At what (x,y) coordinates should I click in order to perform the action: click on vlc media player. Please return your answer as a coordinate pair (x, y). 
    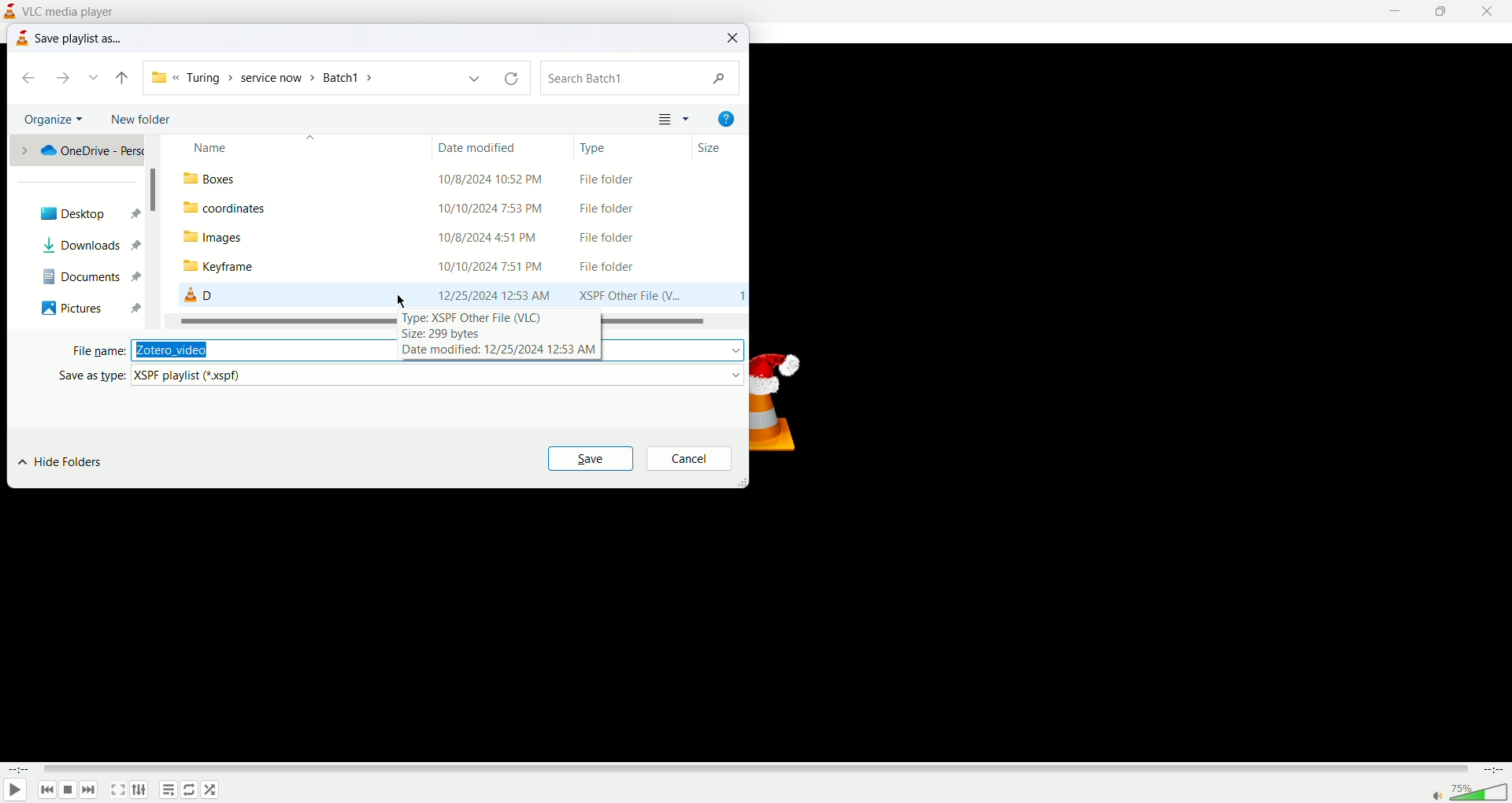
    Looking at the image, I should click on (72, 10).